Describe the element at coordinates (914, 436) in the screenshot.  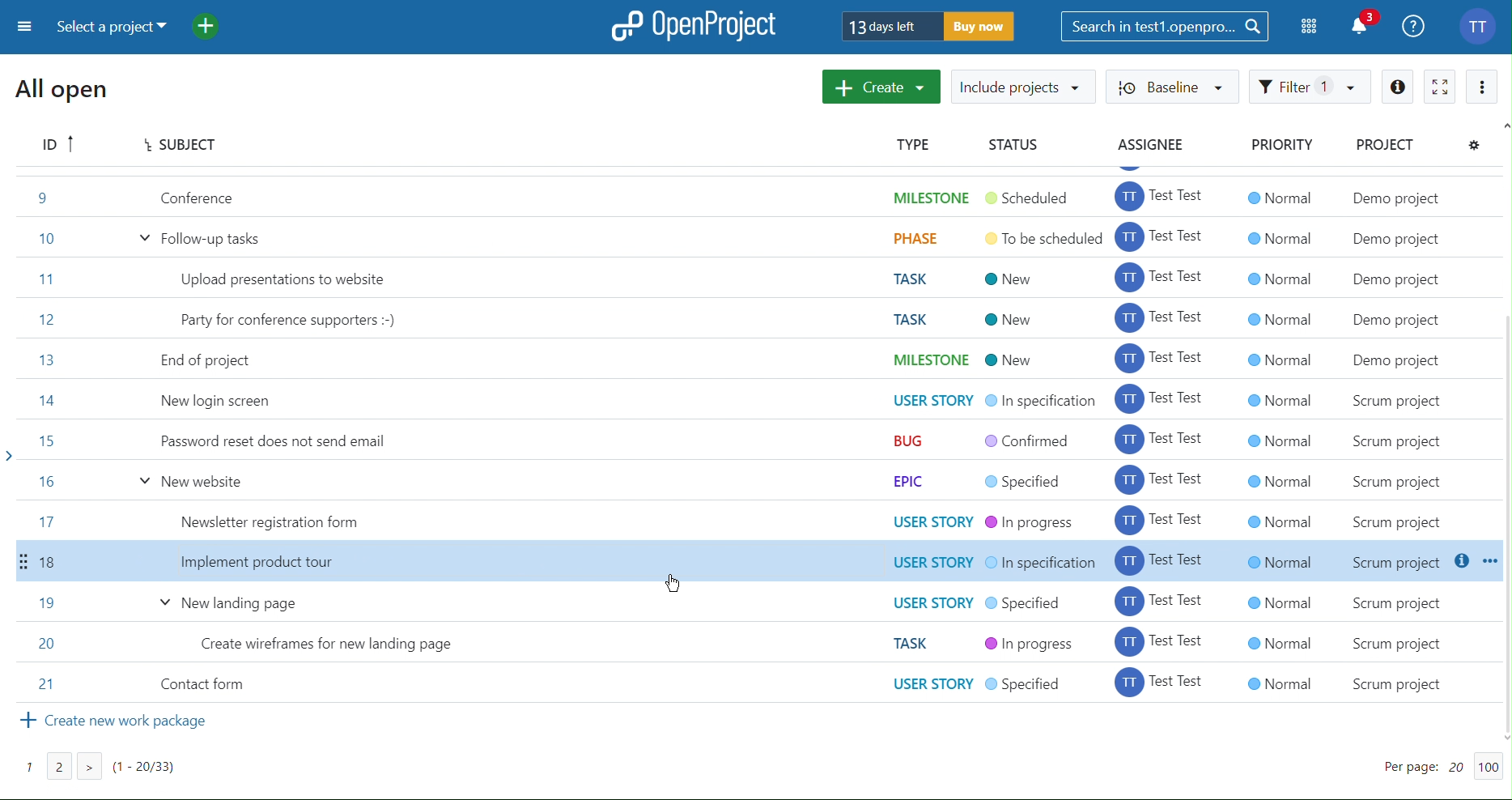
I see `Type of Work Packages` at that location.